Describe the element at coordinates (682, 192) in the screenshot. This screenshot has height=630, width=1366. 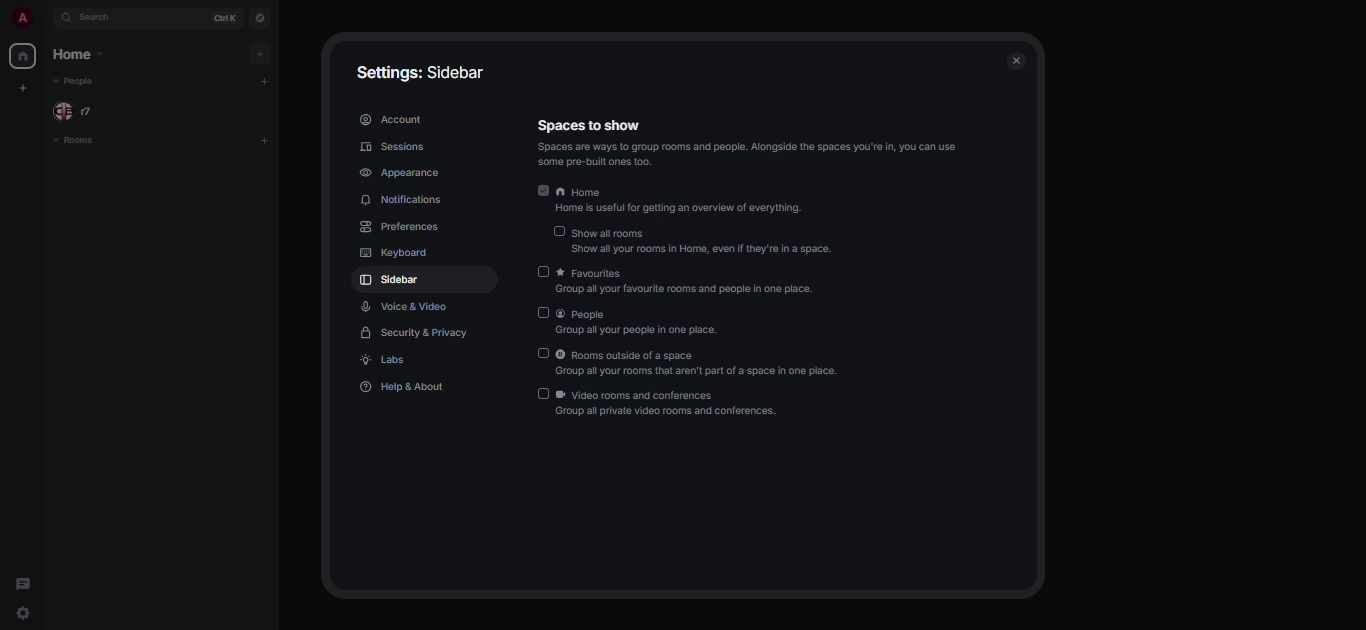
I see `home` at that location.